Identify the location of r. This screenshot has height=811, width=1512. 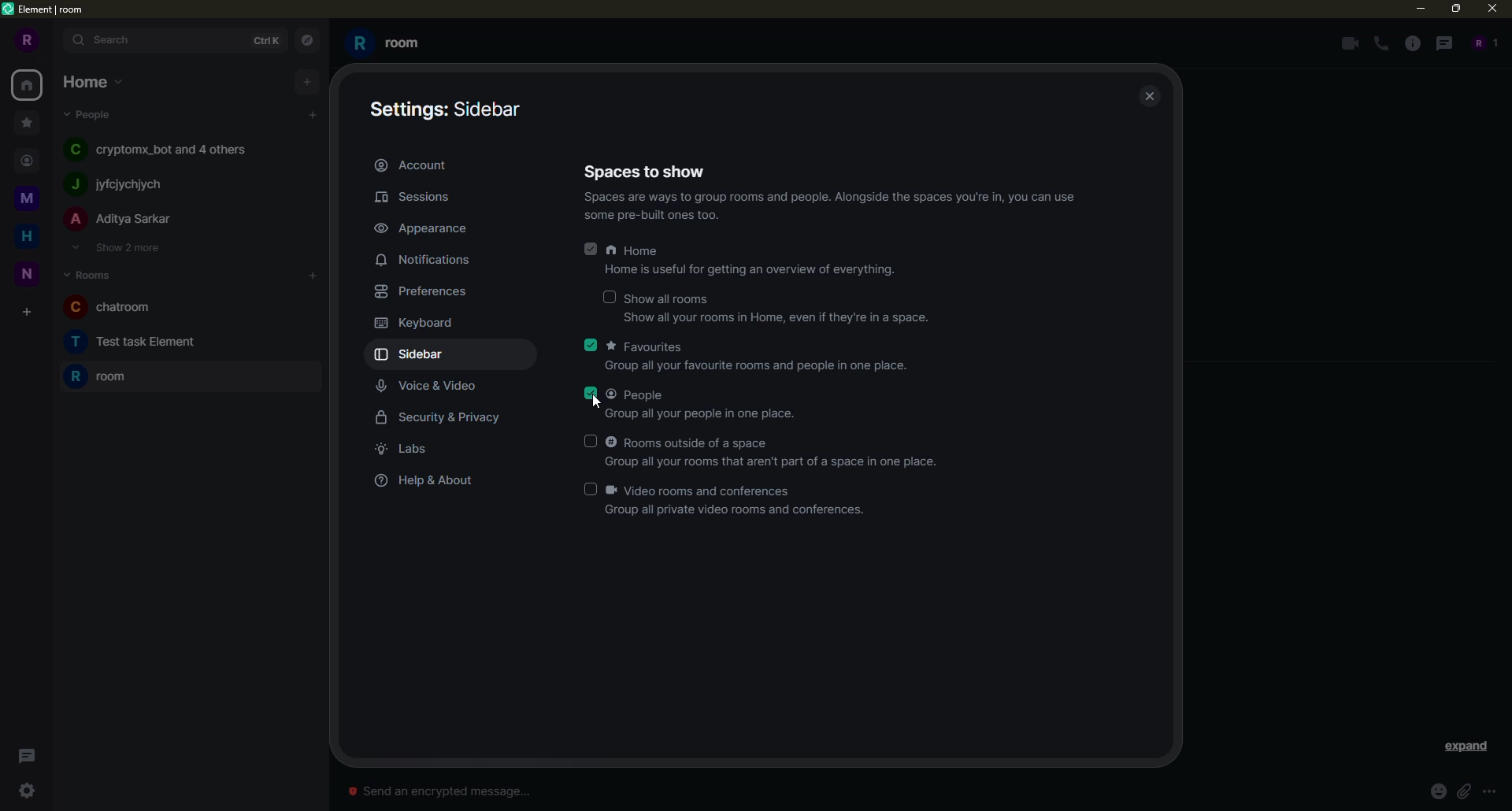
(24, 41).